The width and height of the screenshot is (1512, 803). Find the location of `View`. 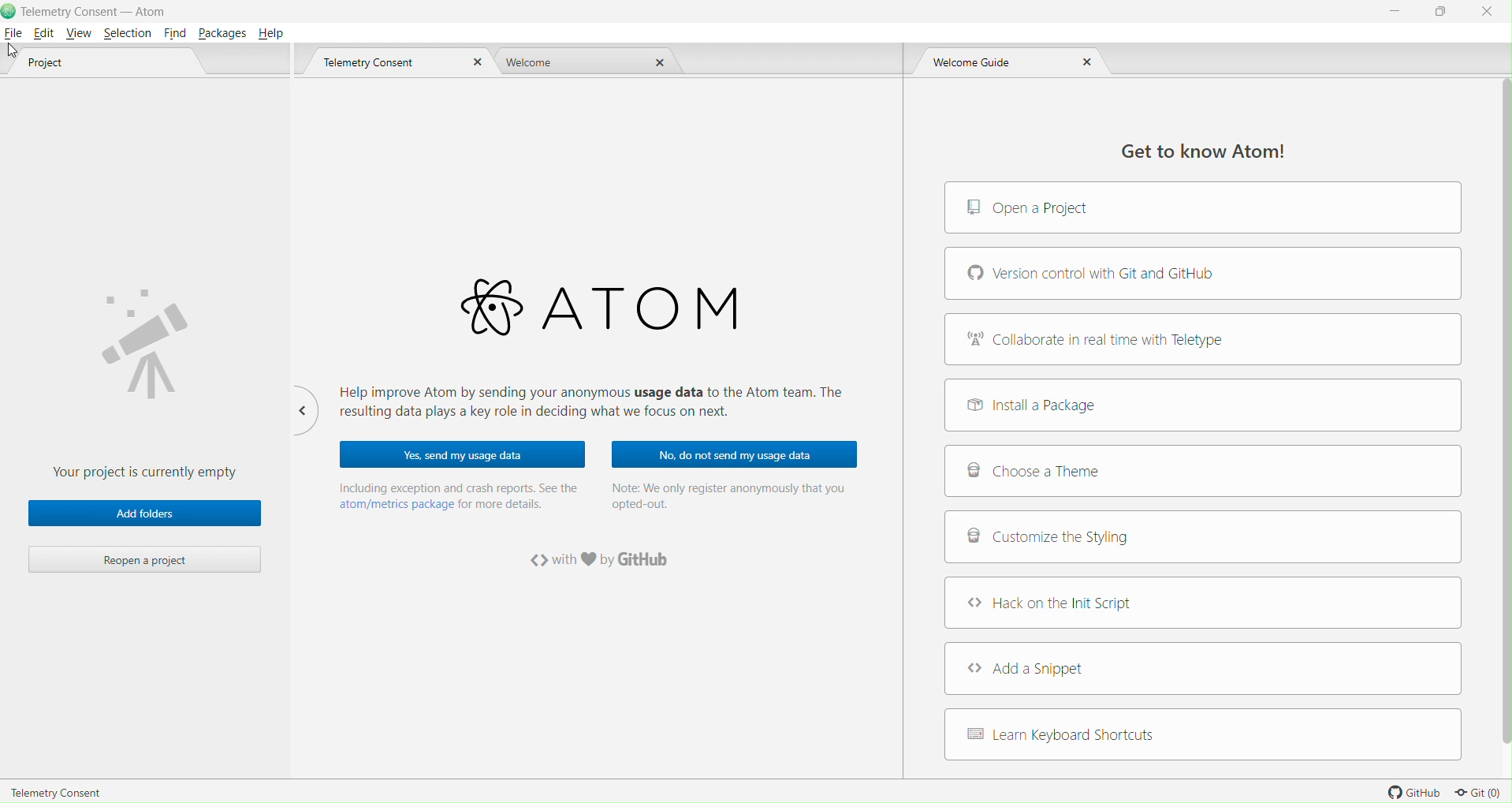

View is located at coordinates (79, 35).